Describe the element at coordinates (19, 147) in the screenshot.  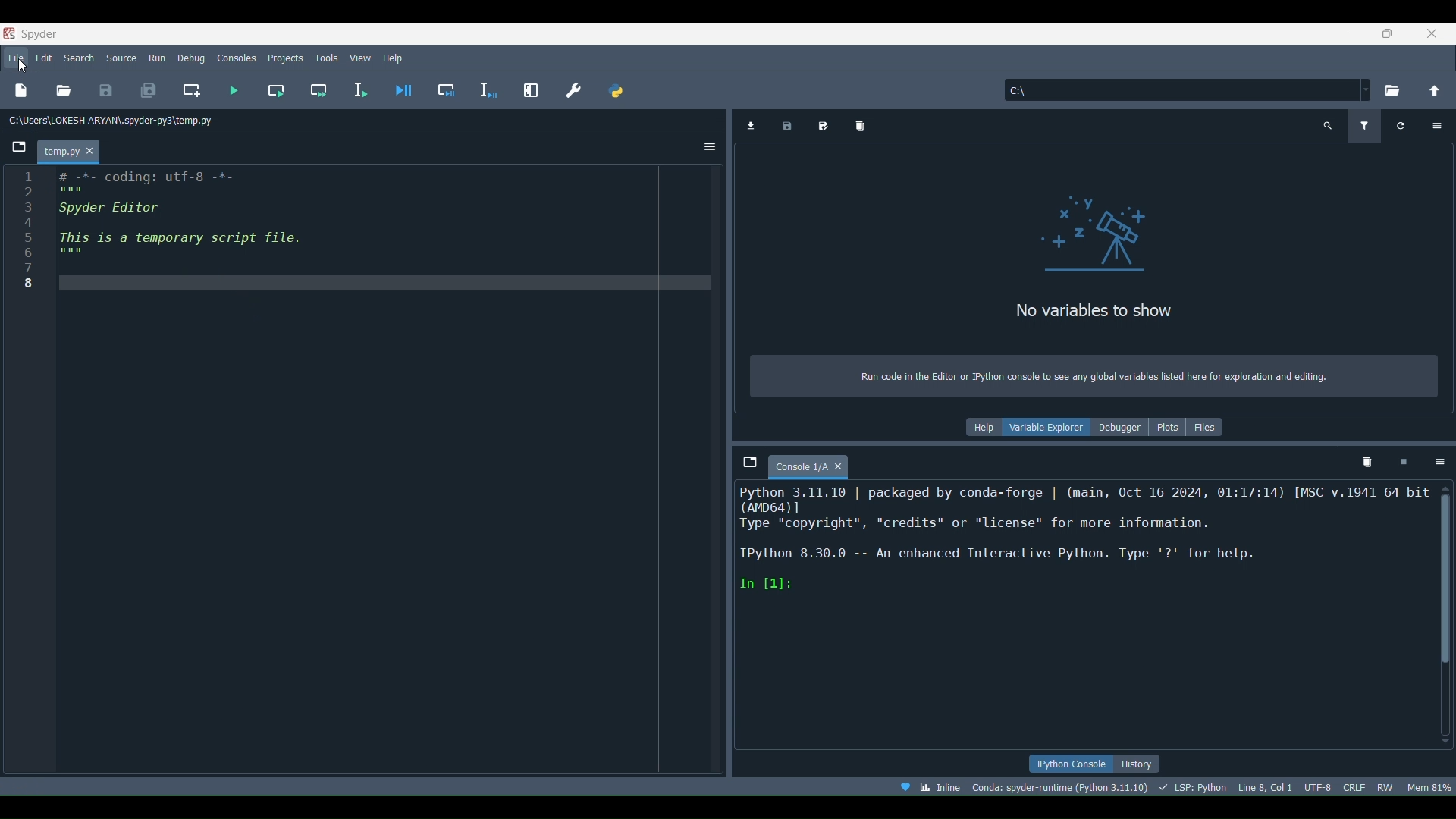
I see `Browse tabs` at that location.